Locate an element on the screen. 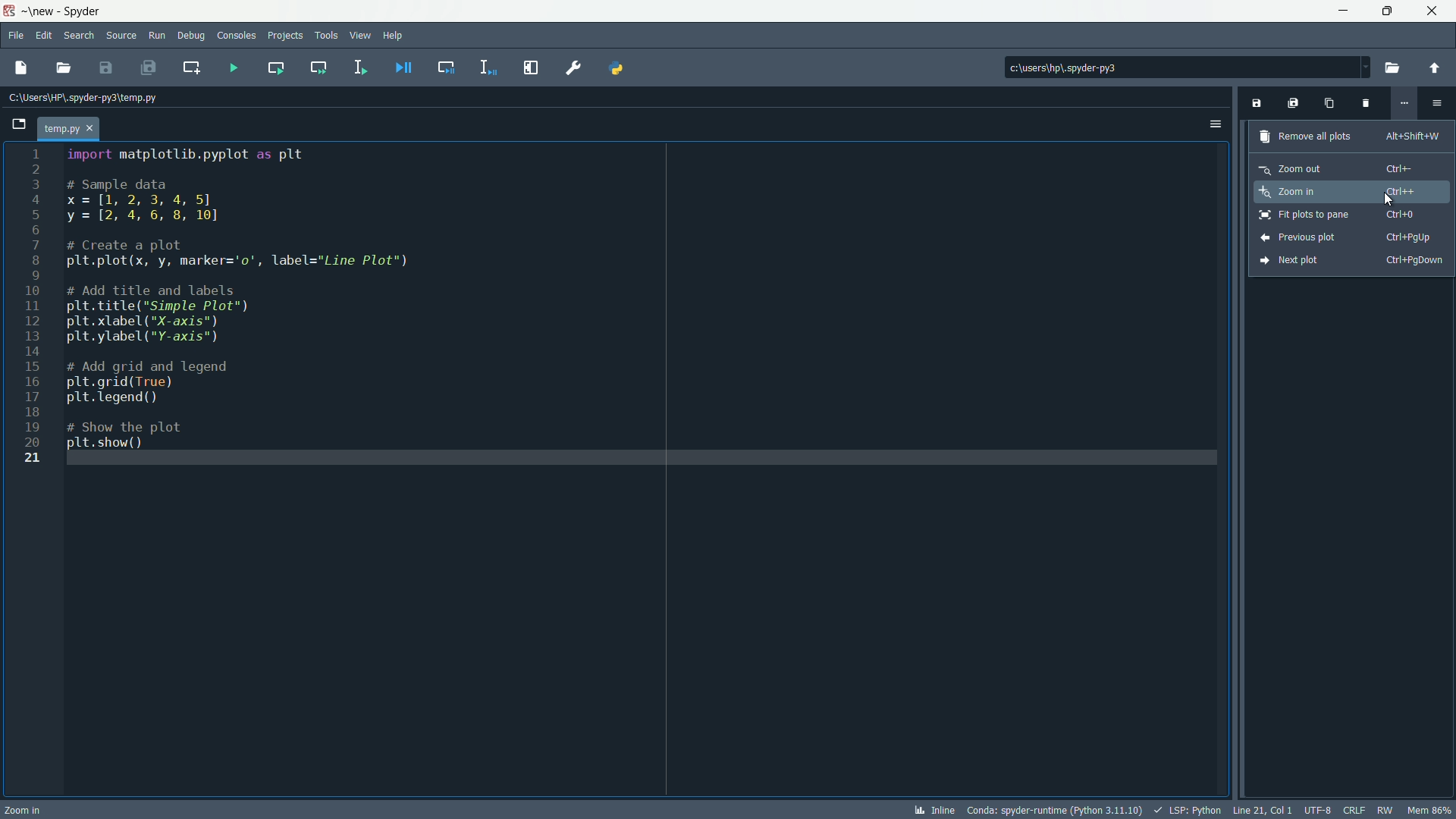  browse tabs is located at coordinates (21, 124).